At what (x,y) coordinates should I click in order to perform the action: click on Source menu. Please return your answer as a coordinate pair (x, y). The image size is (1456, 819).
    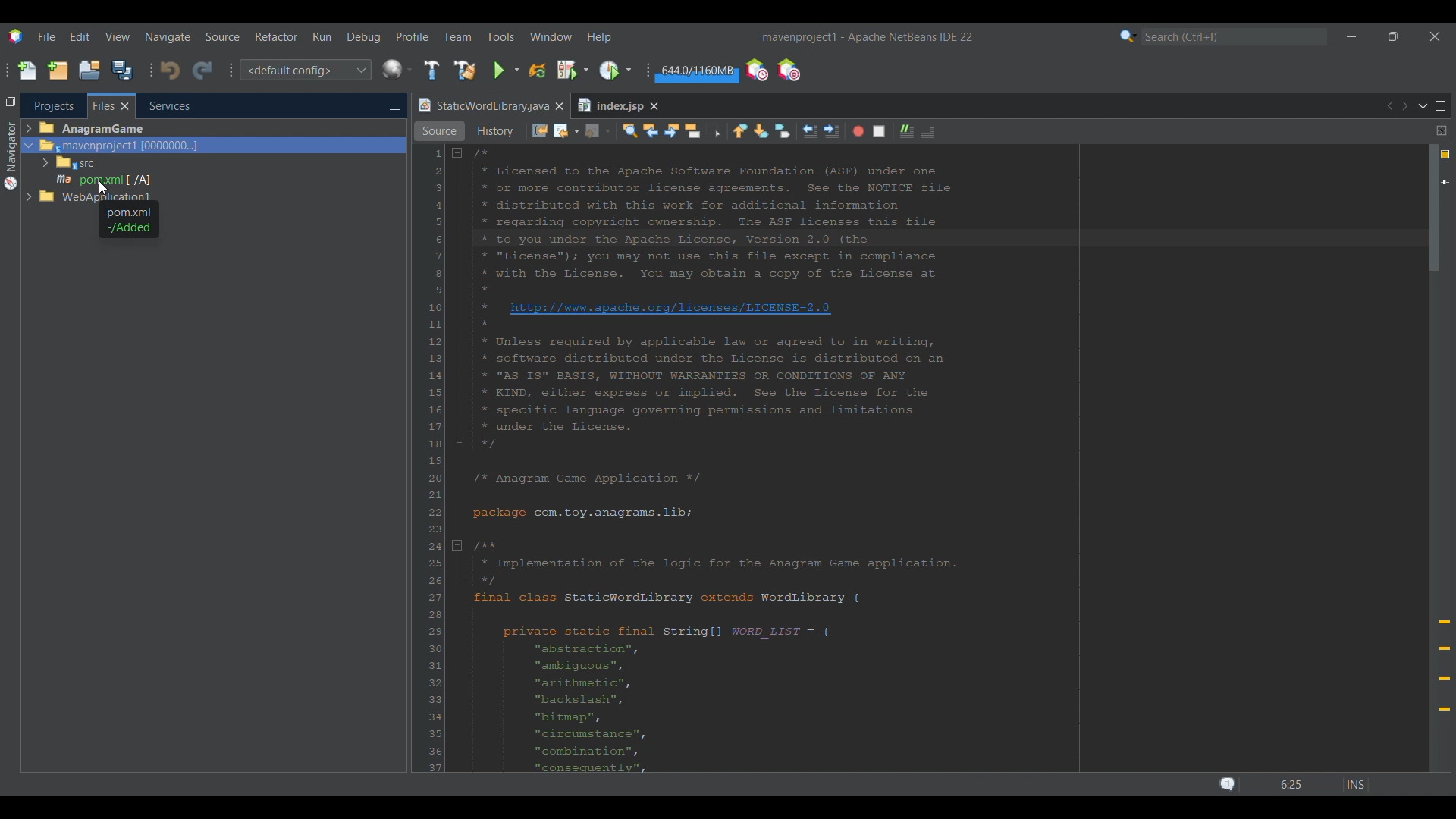
    Looking at the image, I should click on (223, 37).